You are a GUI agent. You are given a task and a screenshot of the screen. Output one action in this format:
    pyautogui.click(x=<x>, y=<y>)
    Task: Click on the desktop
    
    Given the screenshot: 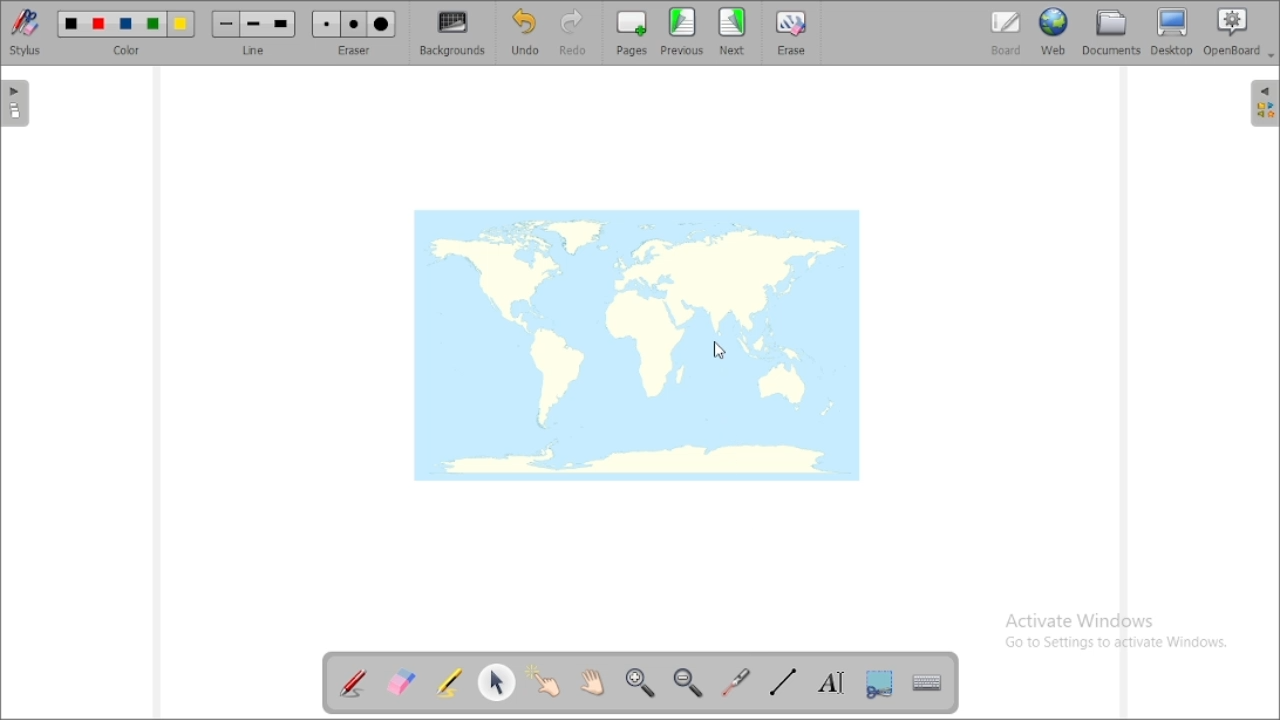 What is the action you would take?
    pyautogui.click(x=1172, y=31)
    